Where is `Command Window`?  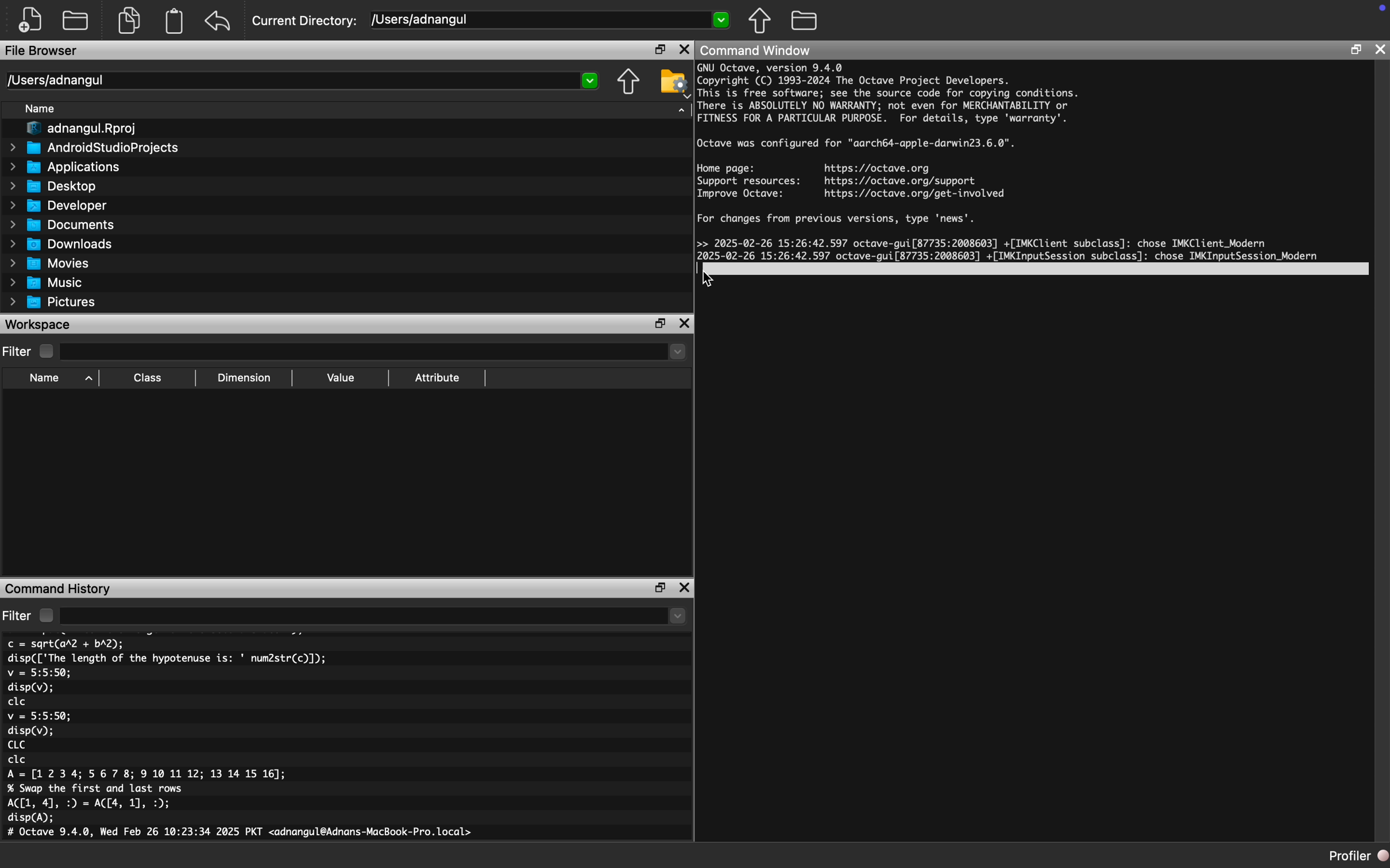 Command Window is located at coordinates (755, 50).